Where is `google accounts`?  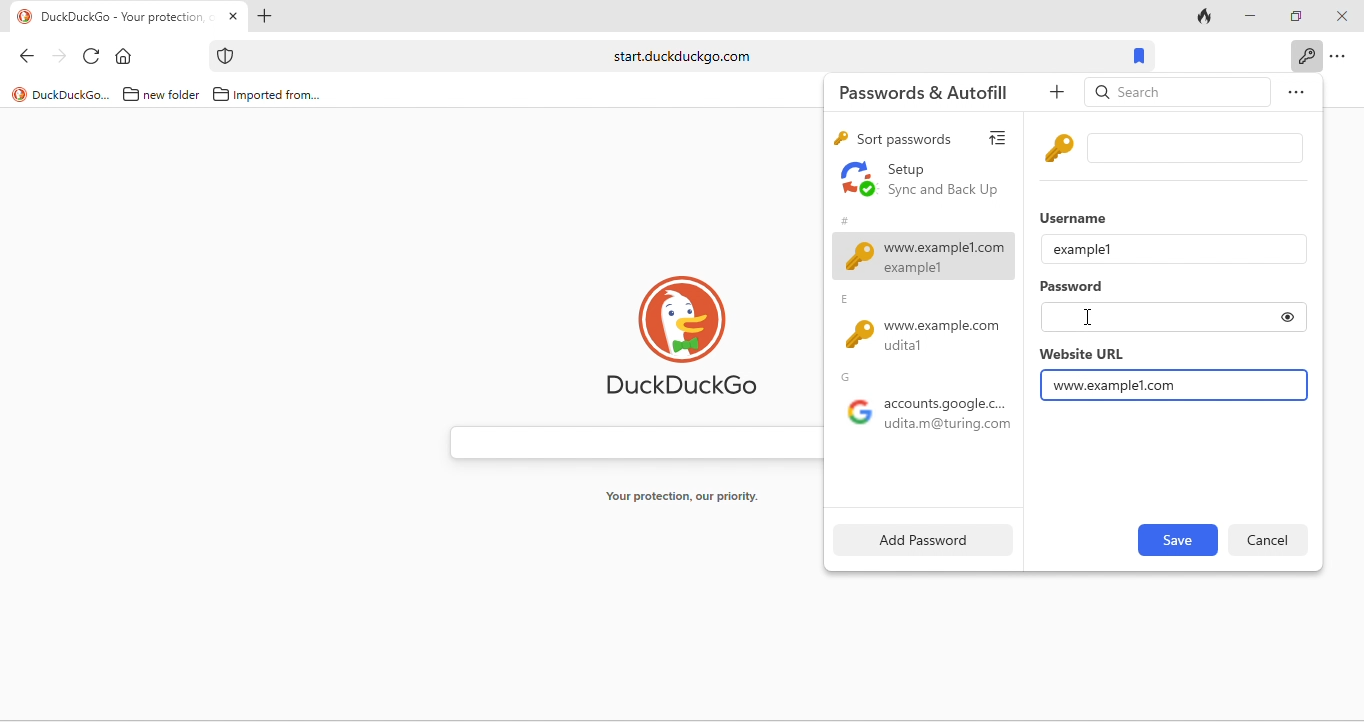 google accounts is located at coordinates (923, 418).